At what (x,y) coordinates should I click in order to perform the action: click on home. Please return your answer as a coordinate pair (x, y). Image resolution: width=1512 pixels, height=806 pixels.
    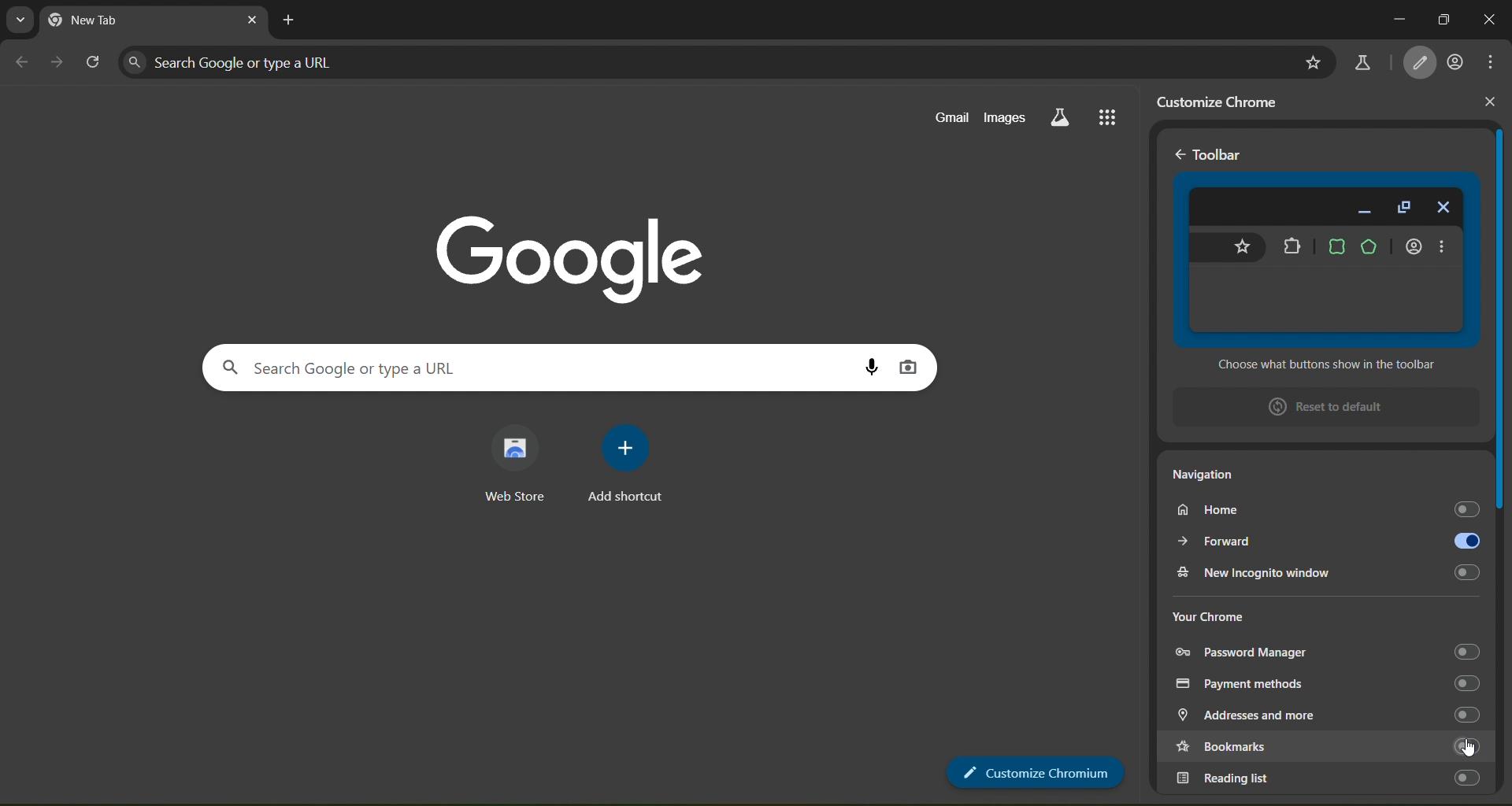
    Looking at the image, I should click on (1326, 511).